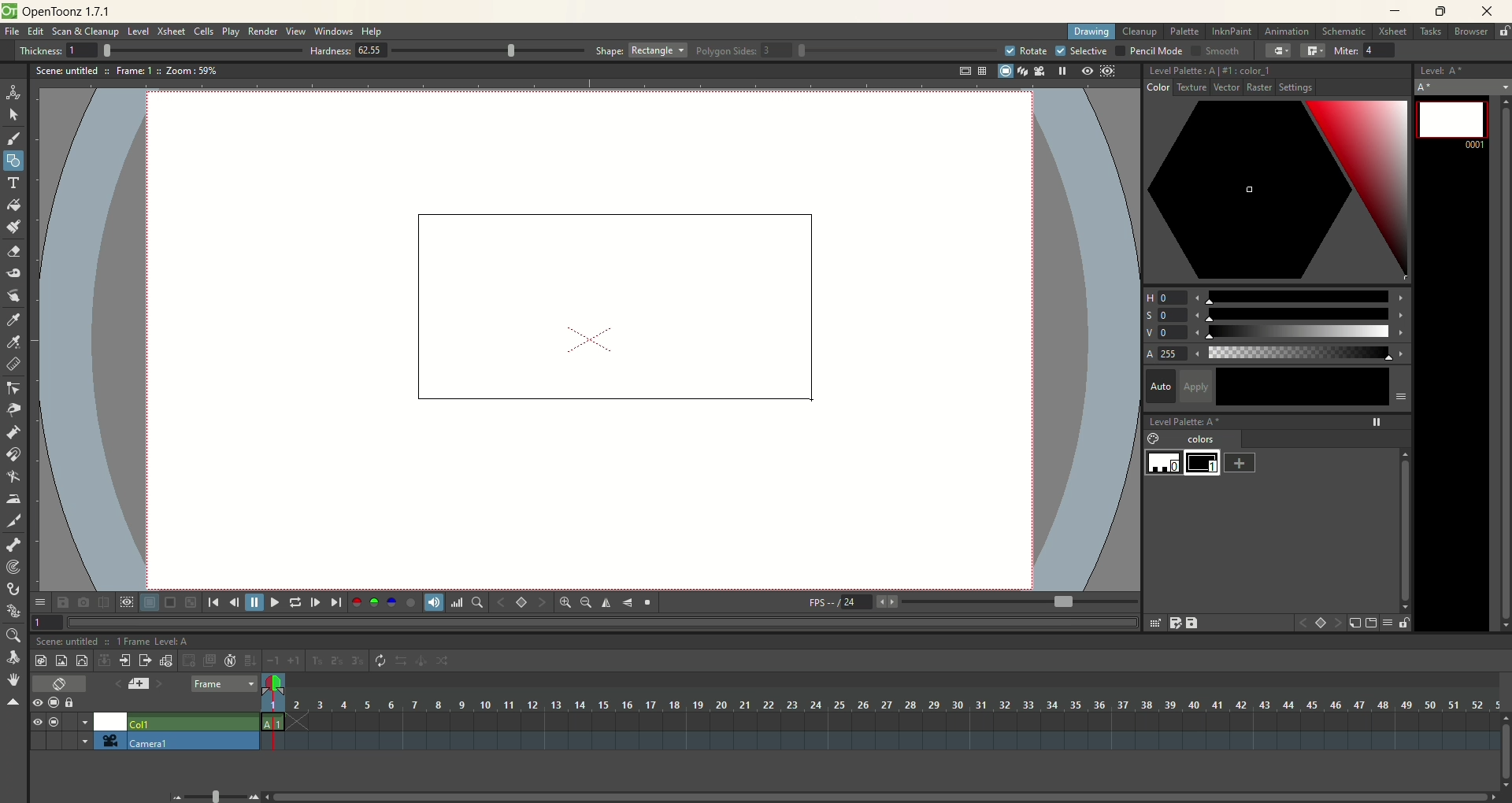 The width and height of the screenshot is (1512, 803). What do you see at coordinates (85, 722) in the screenshot?
I see `recording` at bounding box center [85, 722].